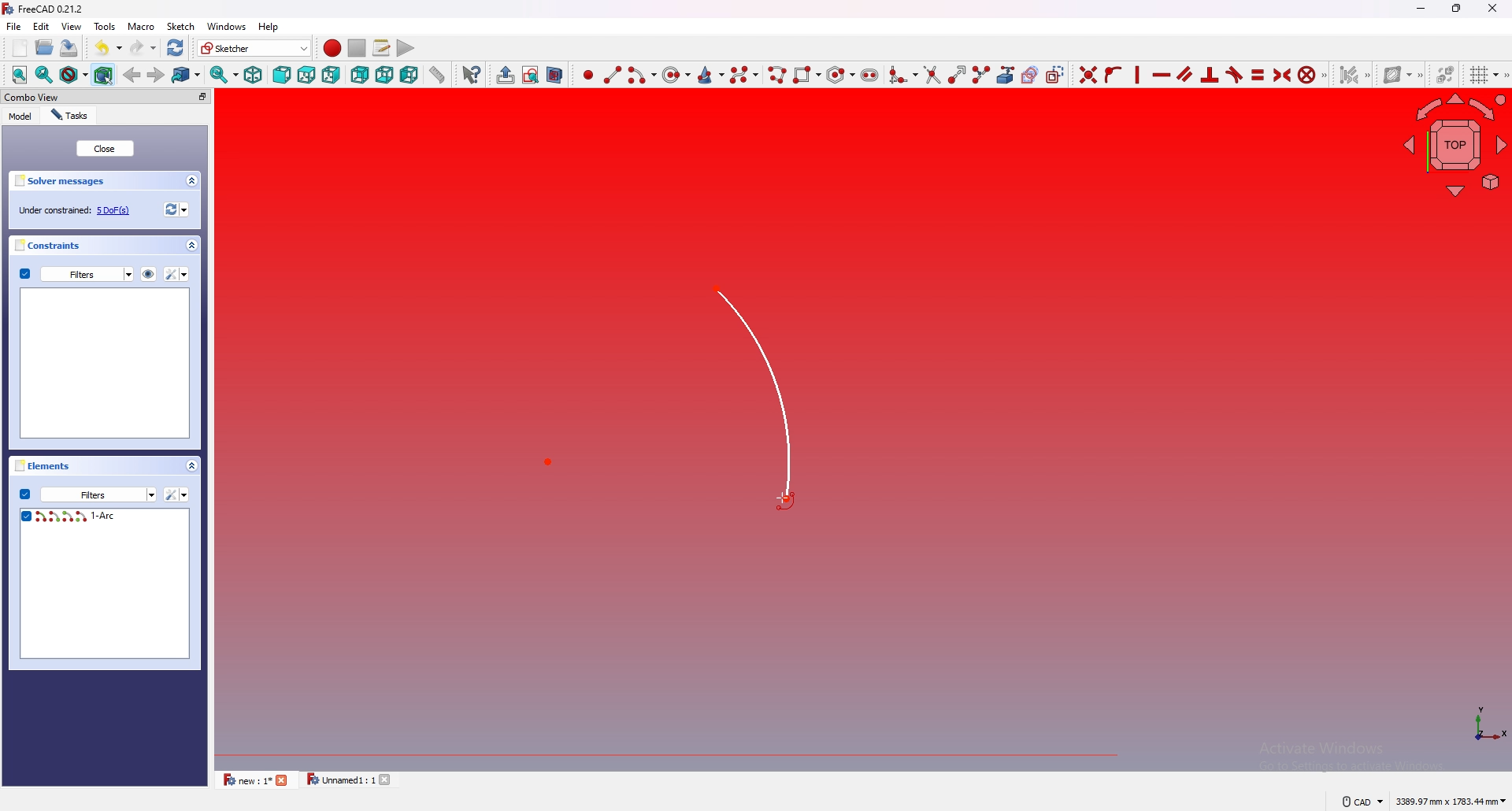 The image size is (1512, 811). What do you see at coordinates (332, 74) in the screenshot?
I see `right` at bounding box center [332, 74].